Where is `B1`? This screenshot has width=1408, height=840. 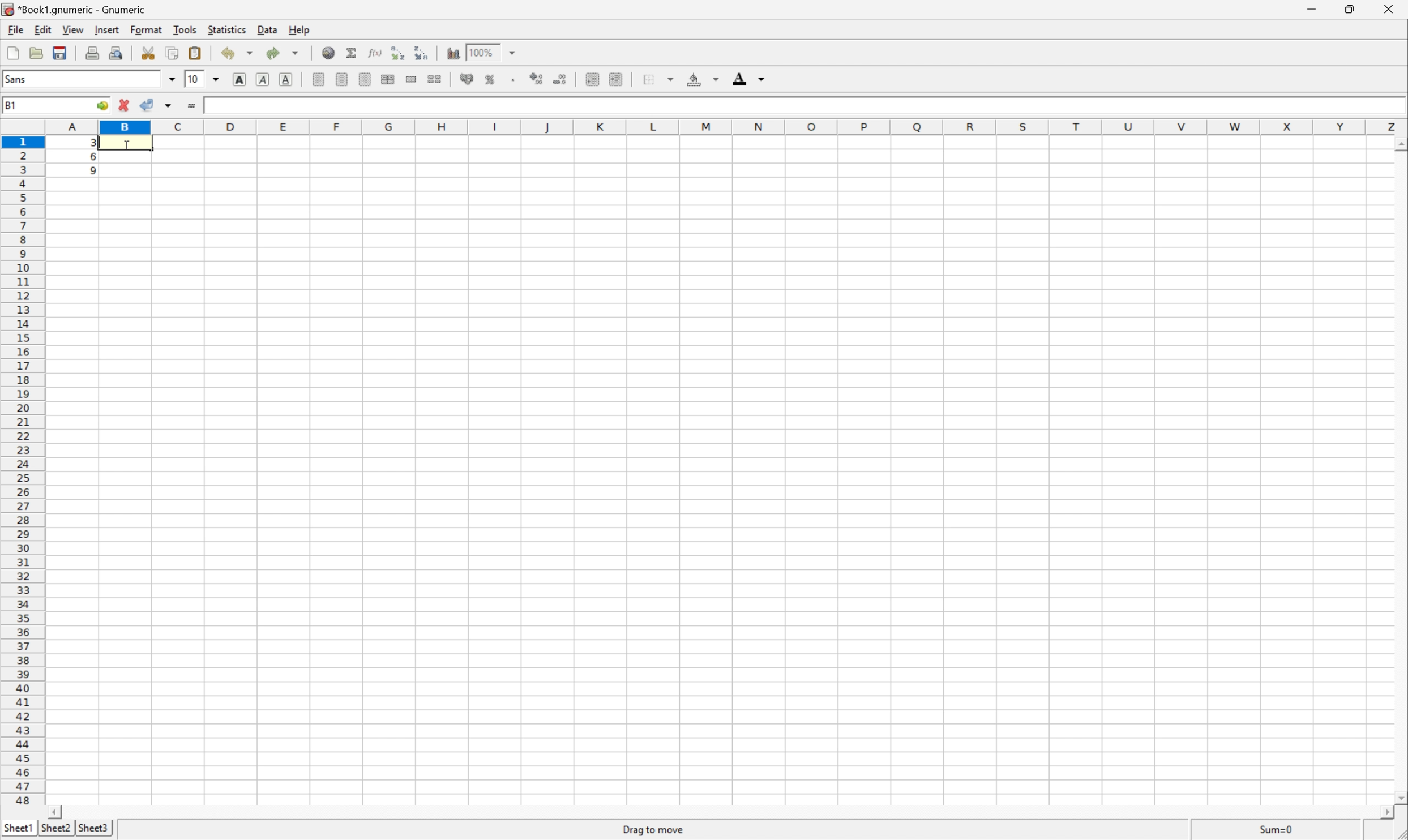 B1 is located at coordinates (12, 104).